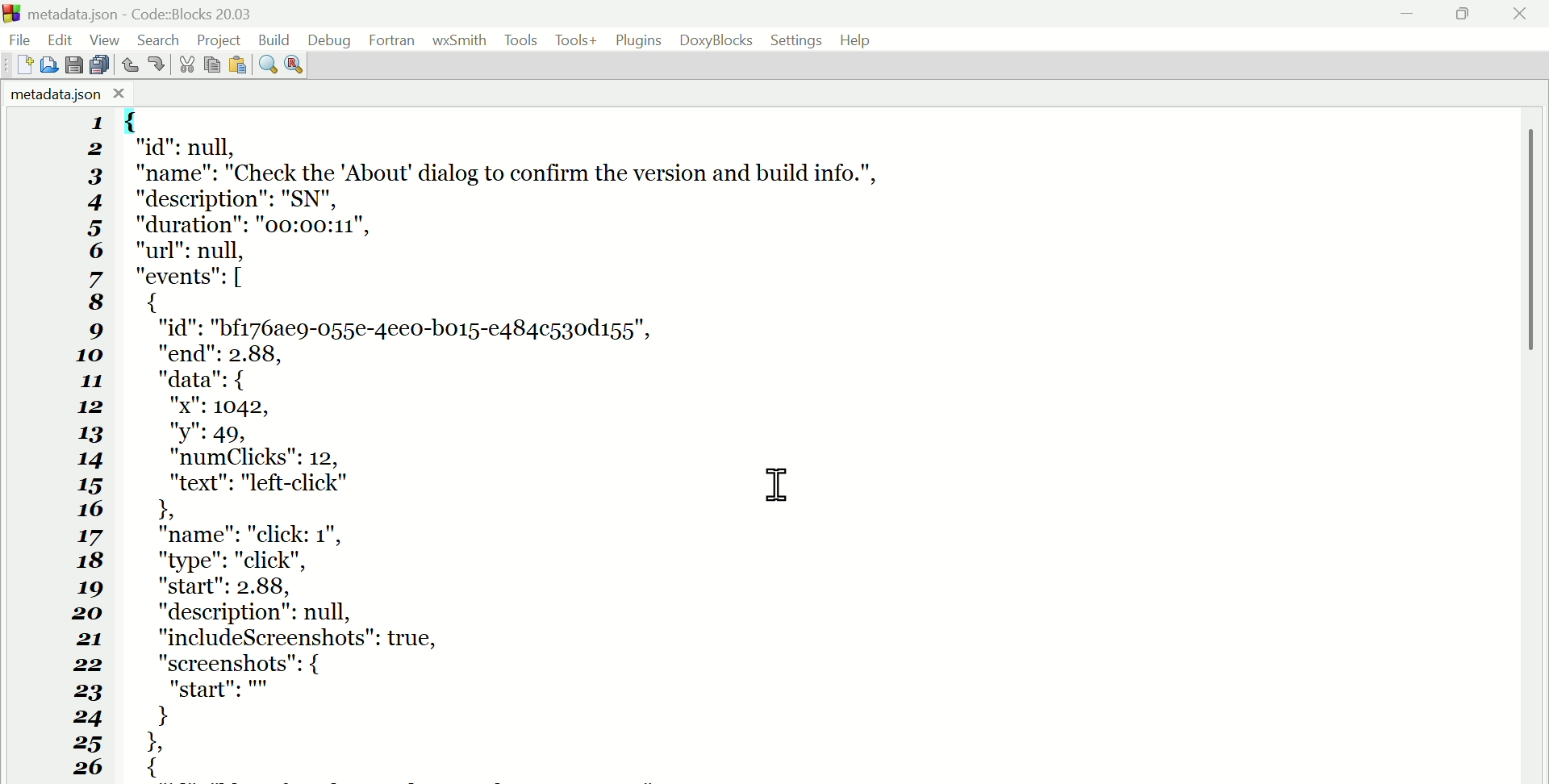 Image resolution: width=1549 pixels, height=784 pixels. What do you see at coordinates (392, 40) in the screenshot?
I see `Fortran` at bounding box center [392, 40].